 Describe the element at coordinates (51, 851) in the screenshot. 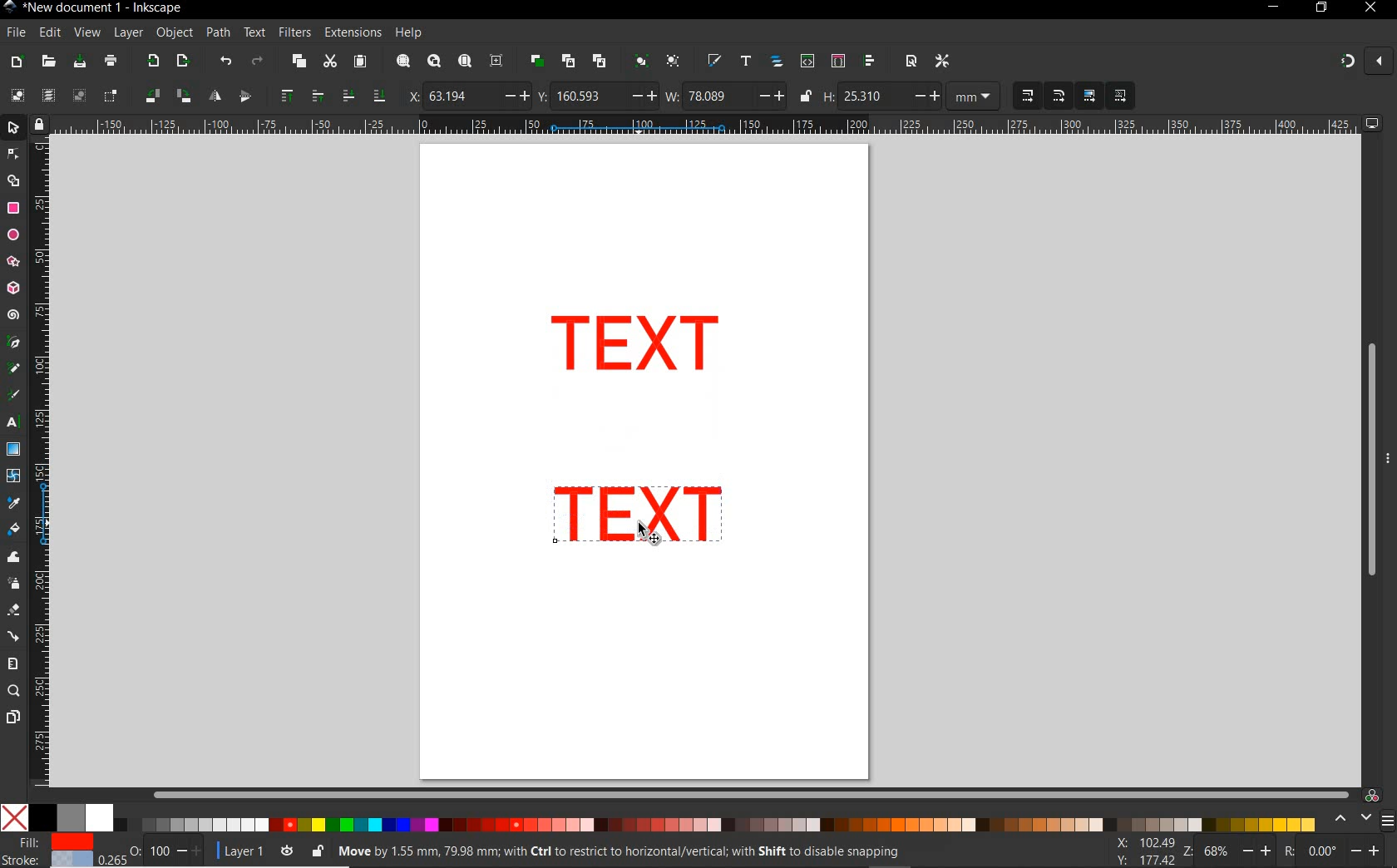

I see `fill and stroke` at that location.